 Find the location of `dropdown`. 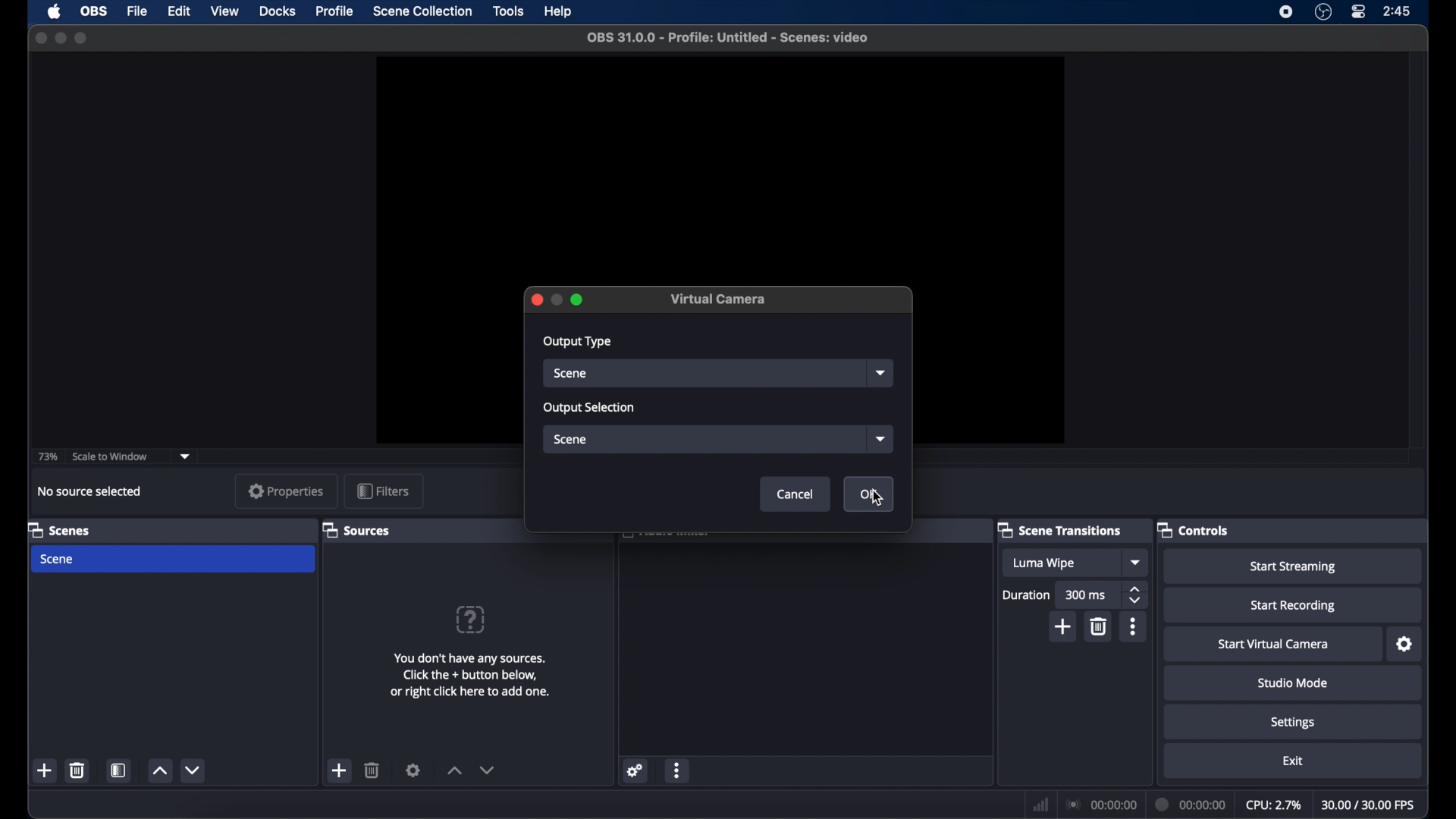

dropdown is located at coordinates (186, 455).